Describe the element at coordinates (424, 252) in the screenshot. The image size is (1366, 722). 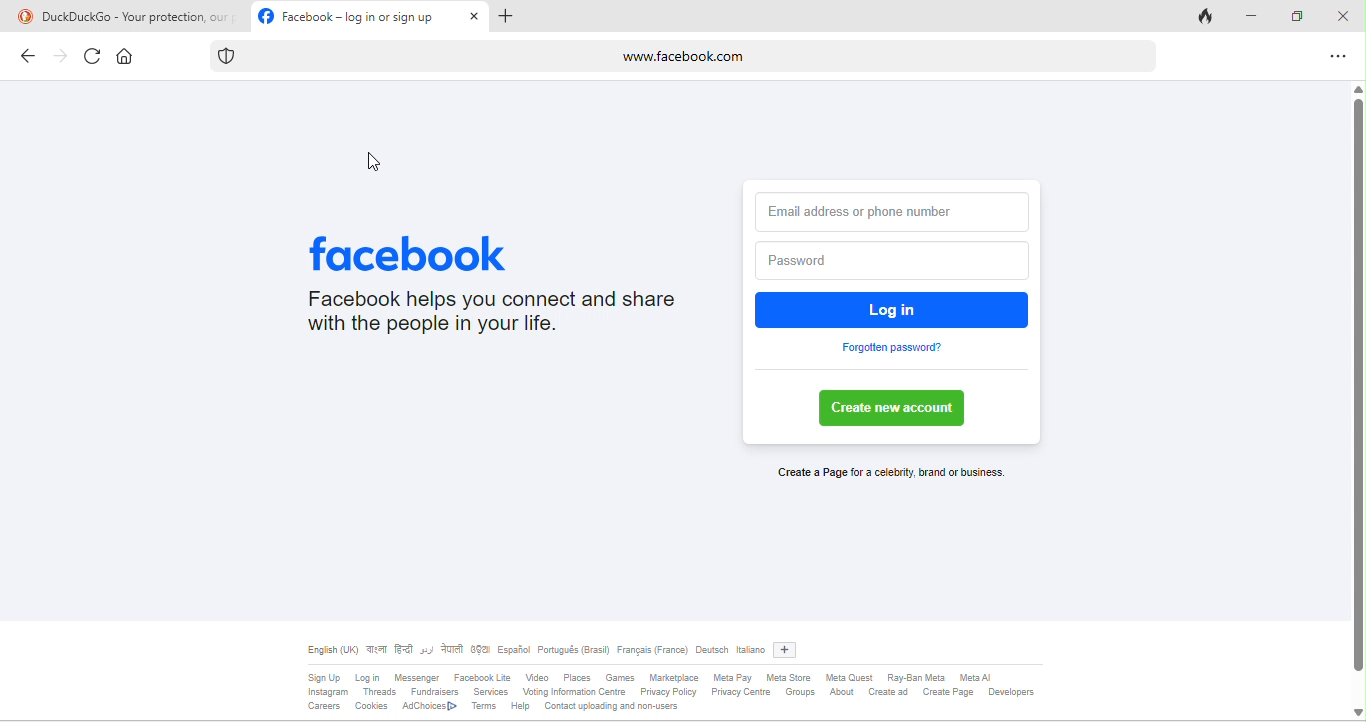
I see `facebook` at that location.